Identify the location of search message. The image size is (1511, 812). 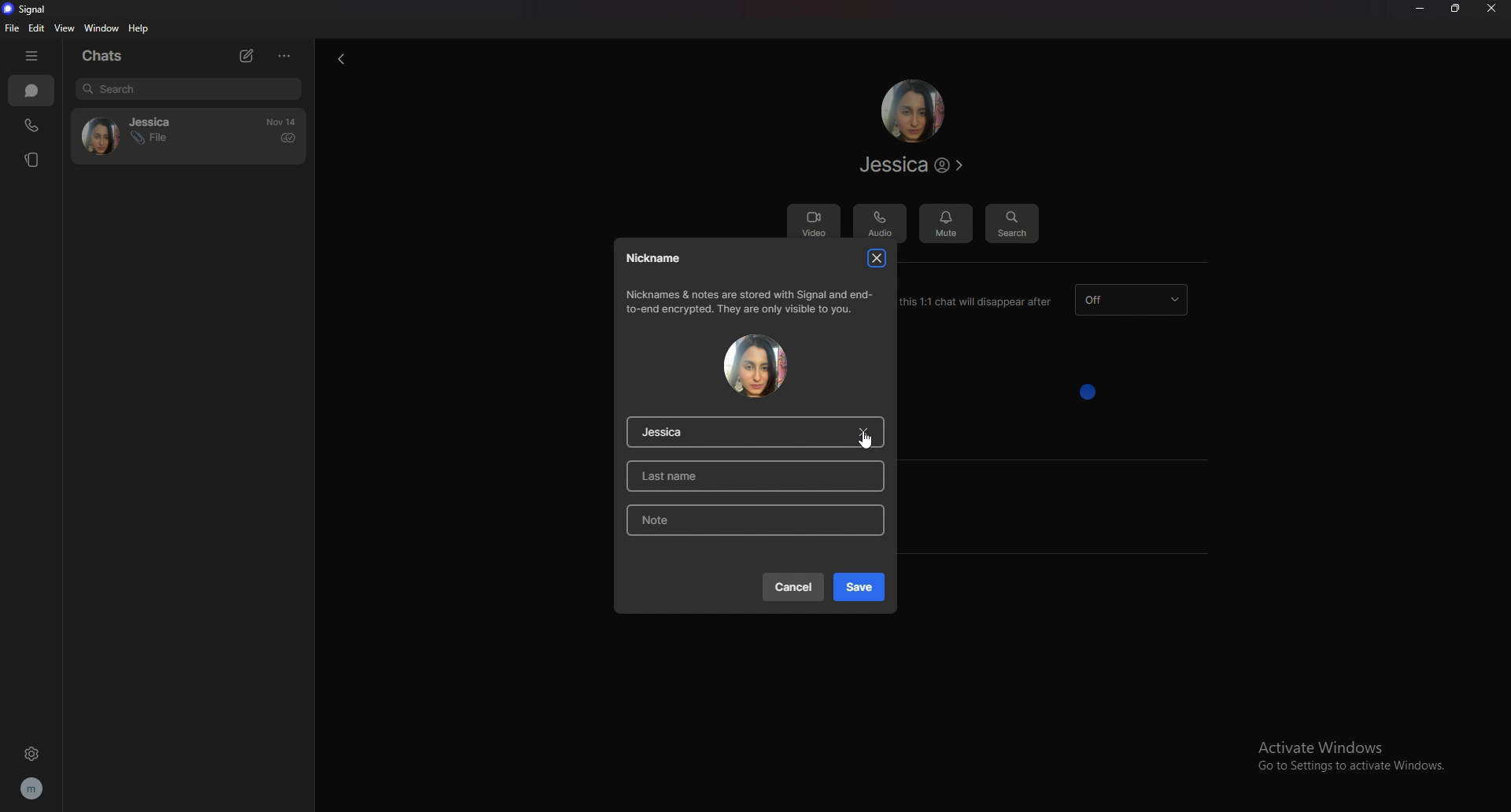
(1012, 224).